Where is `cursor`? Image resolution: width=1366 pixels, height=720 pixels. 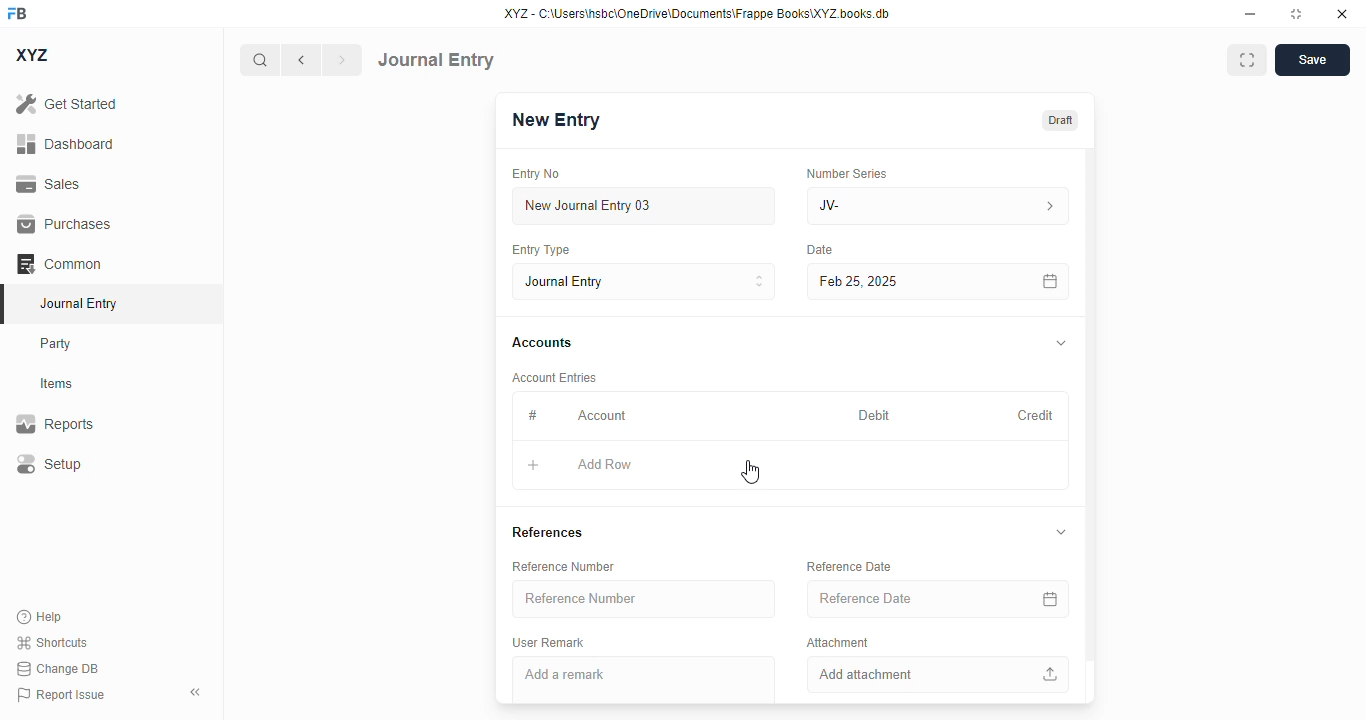 cursor is located at coordinates (750, 472).